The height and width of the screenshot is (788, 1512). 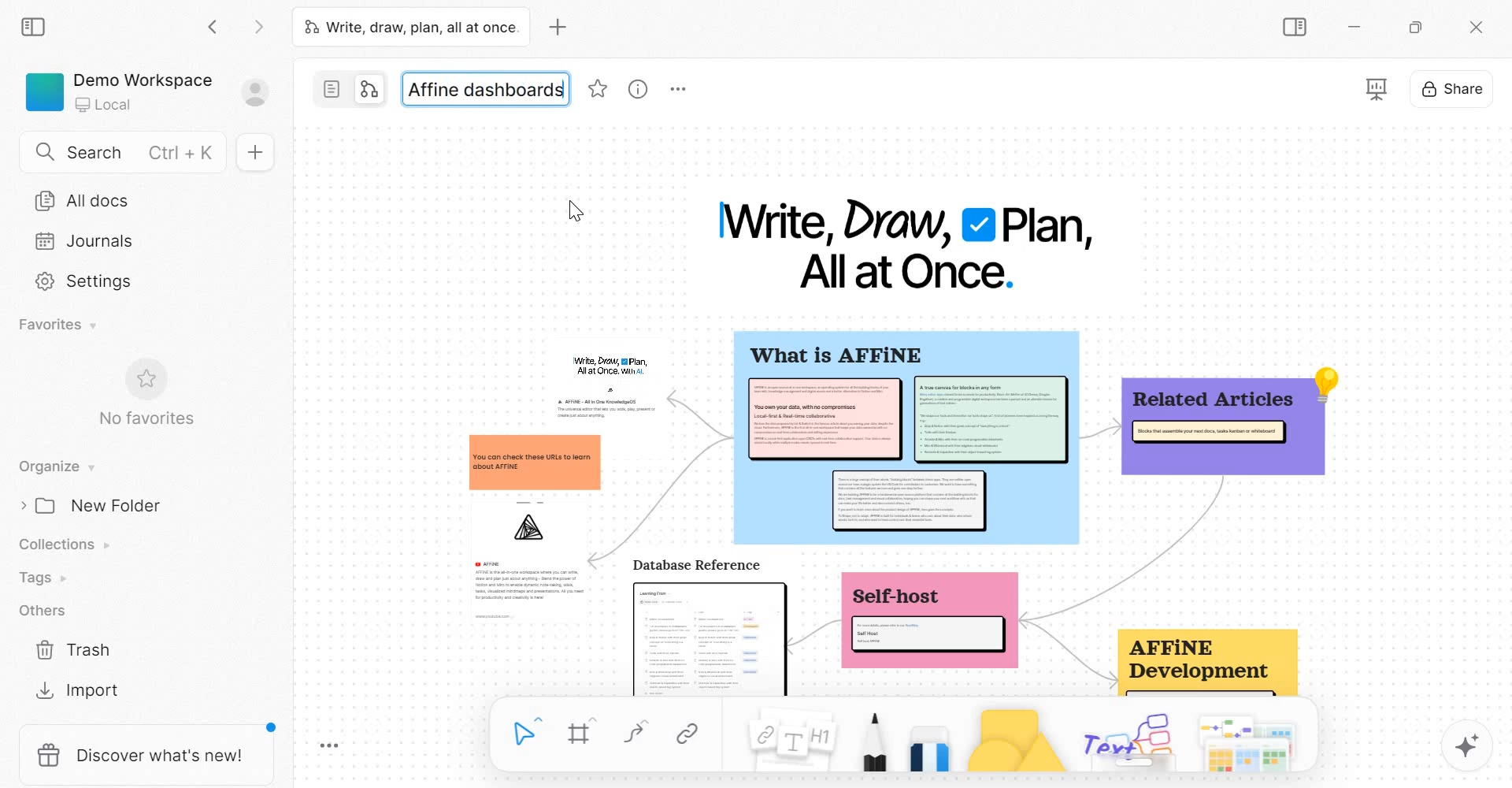 What do you see at coordinates (1247, 742) in the screenshot?
I see ` templates` at bounding box center [1247, 742].